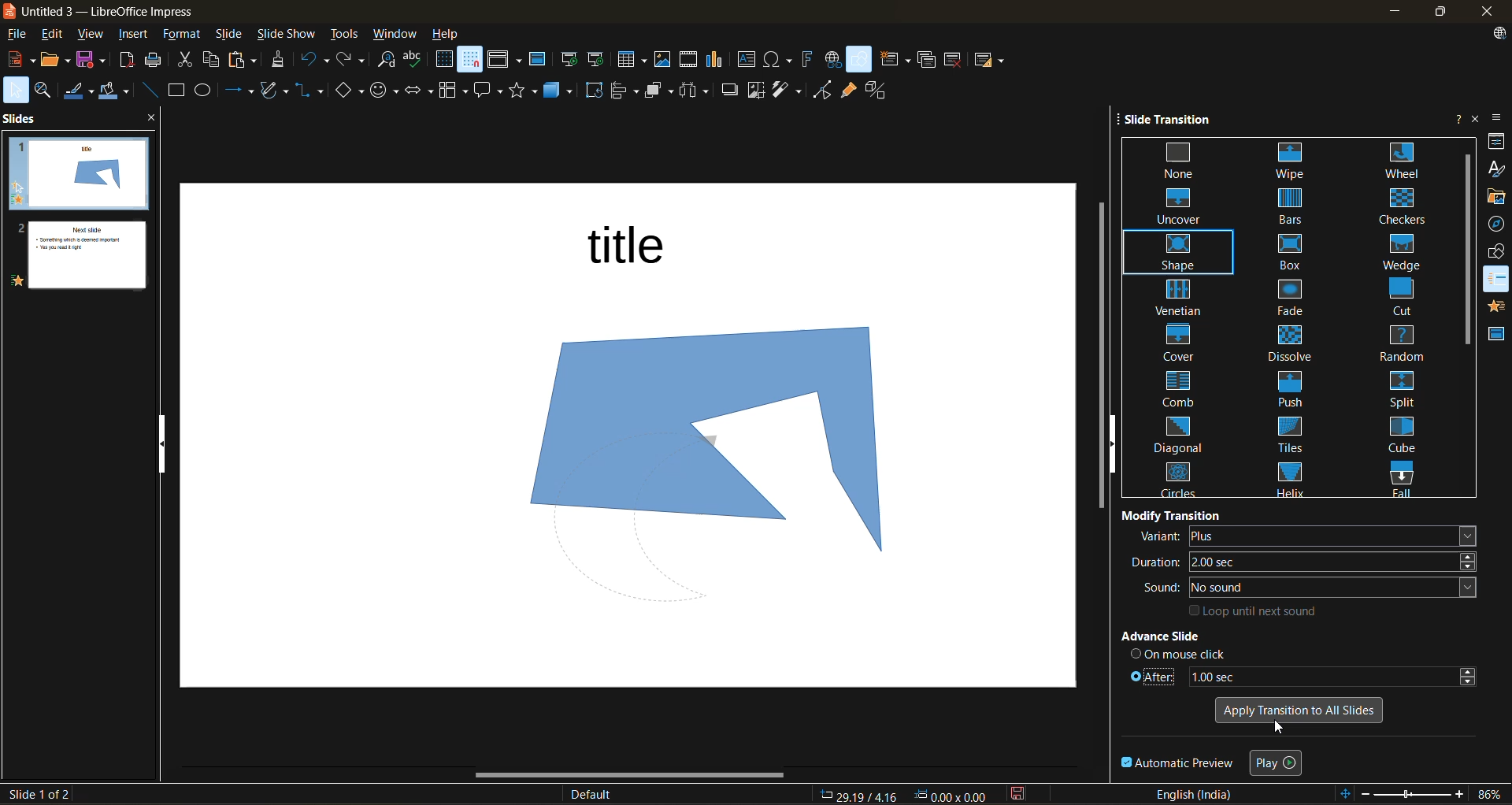 The width and height of the screenshot is (1512, 805). What do you see at coordinates (1499, 117) in the screenshot?
I see `sidebar settings` at bounding box center [1499, 117].